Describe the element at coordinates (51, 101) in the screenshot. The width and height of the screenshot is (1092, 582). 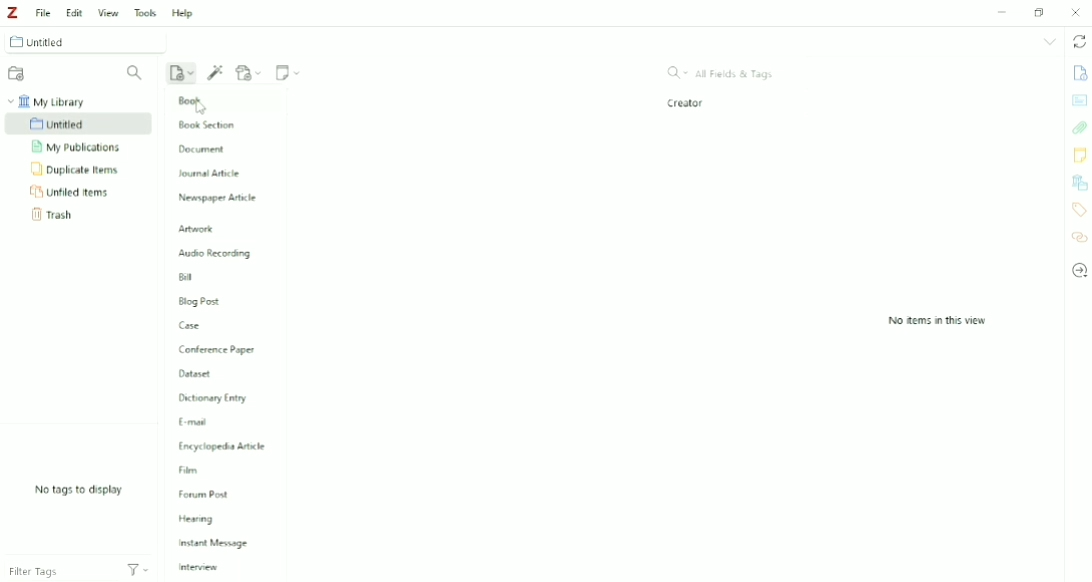
I see `My Library` at that location.